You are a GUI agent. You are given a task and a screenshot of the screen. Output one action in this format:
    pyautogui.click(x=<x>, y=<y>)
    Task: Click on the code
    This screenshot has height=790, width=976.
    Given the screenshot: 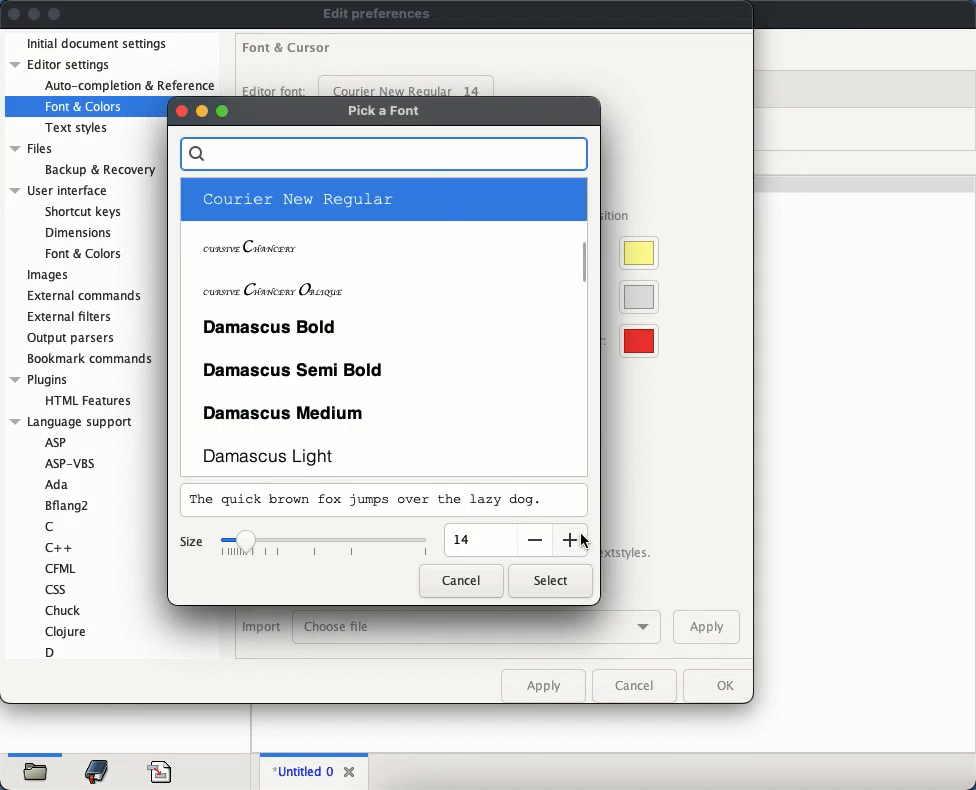 What is the action you would take?
    pyautogui.click(x=160, y=770)
    